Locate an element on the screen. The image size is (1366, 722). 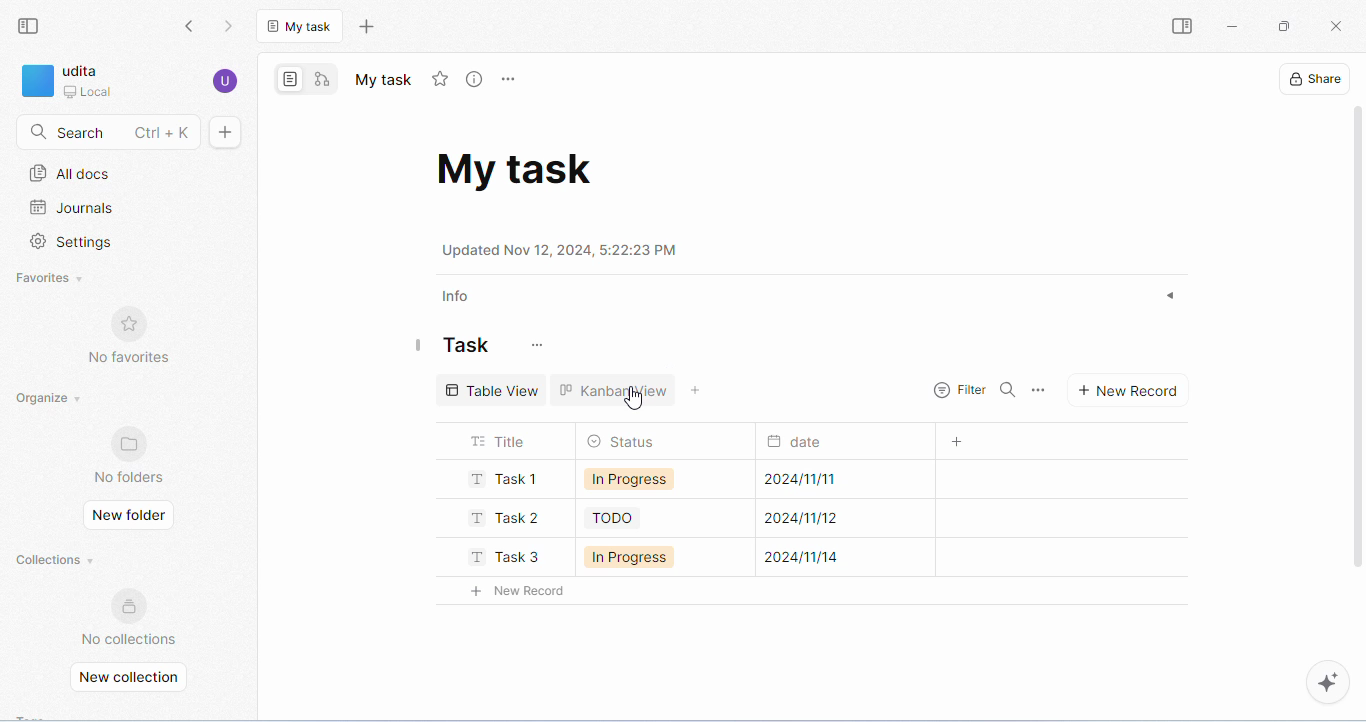
in progress is located at coordinates (634, 480).